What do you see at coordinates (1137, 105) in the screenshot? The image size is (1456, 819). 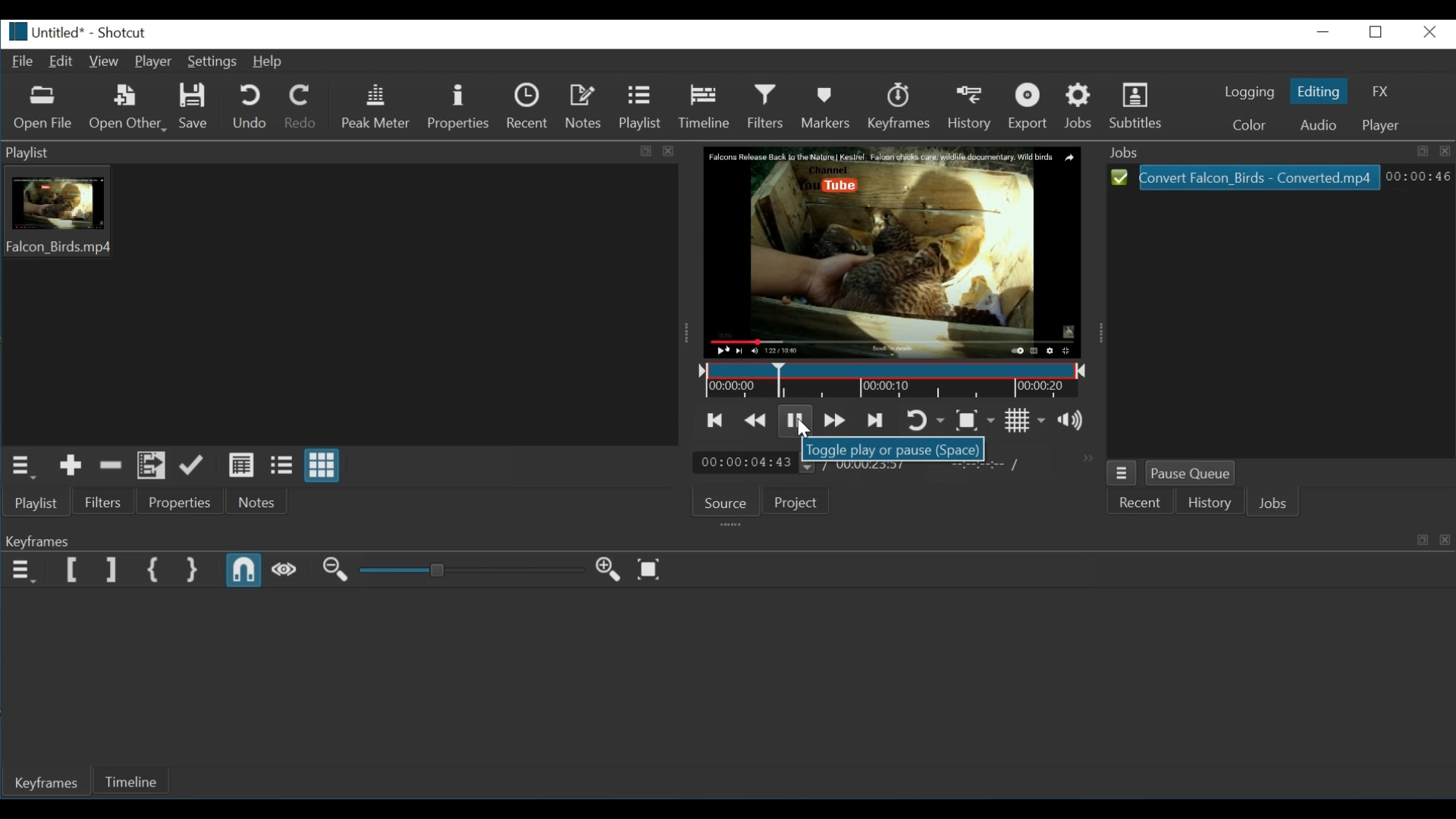 I see `Subtitles` at bounding box center [1137, 105].